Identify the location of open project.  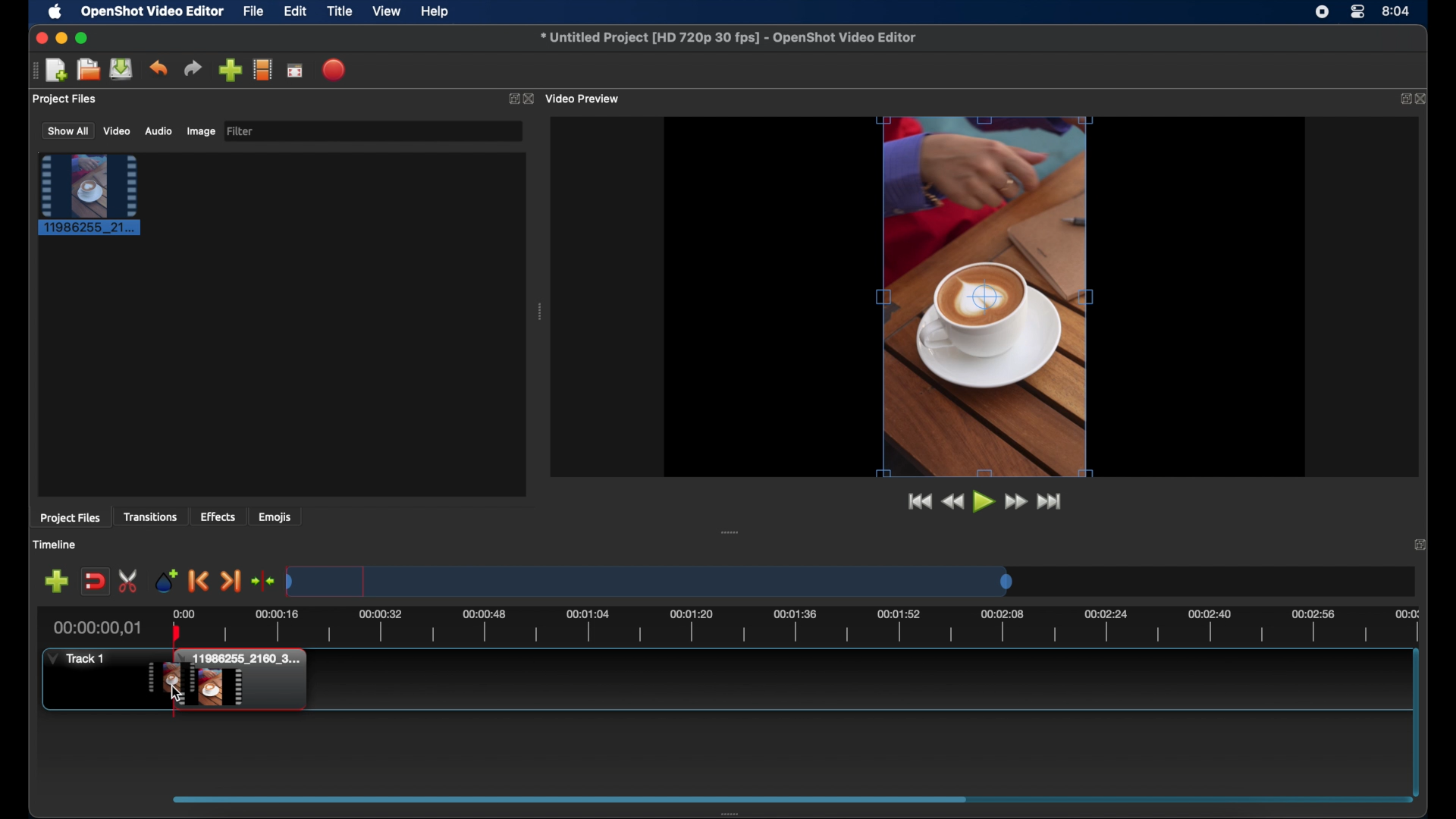
(88, 70).